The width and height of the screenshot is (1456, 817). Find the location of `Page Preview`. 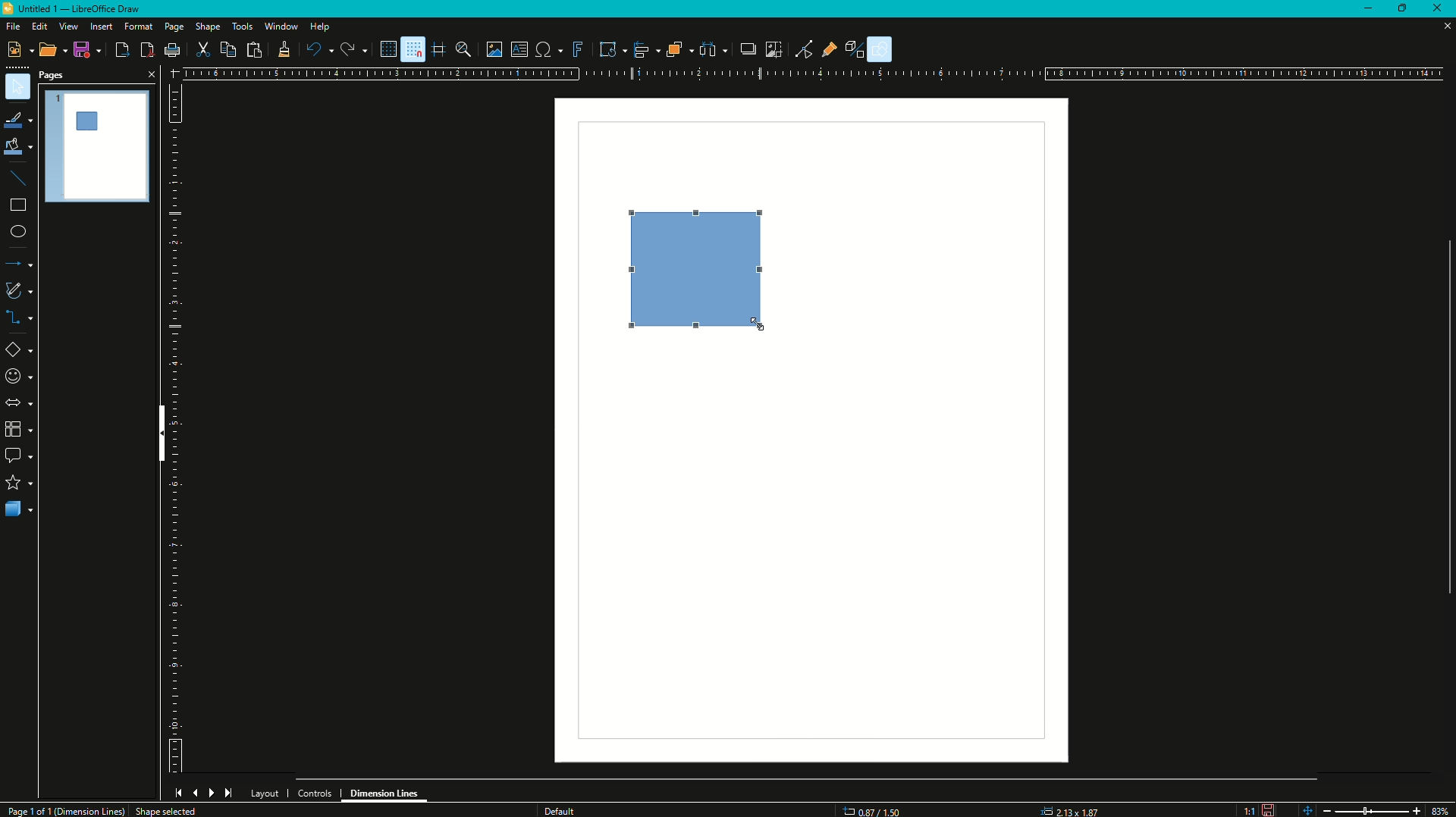

Page Preview is located at coordinates (98, 144).